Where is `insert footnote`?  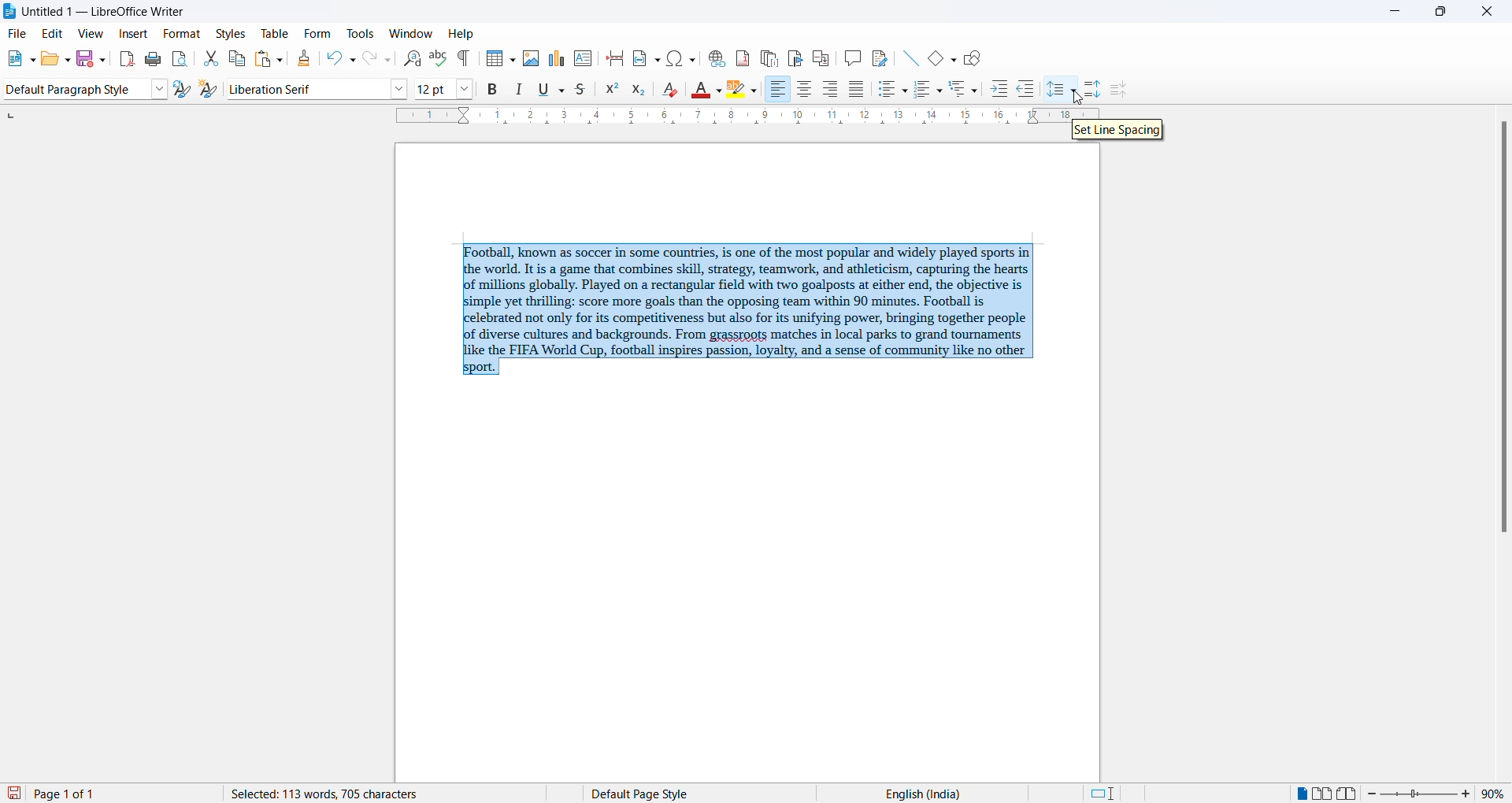 insert footnote is located at coordinates (743, 60).